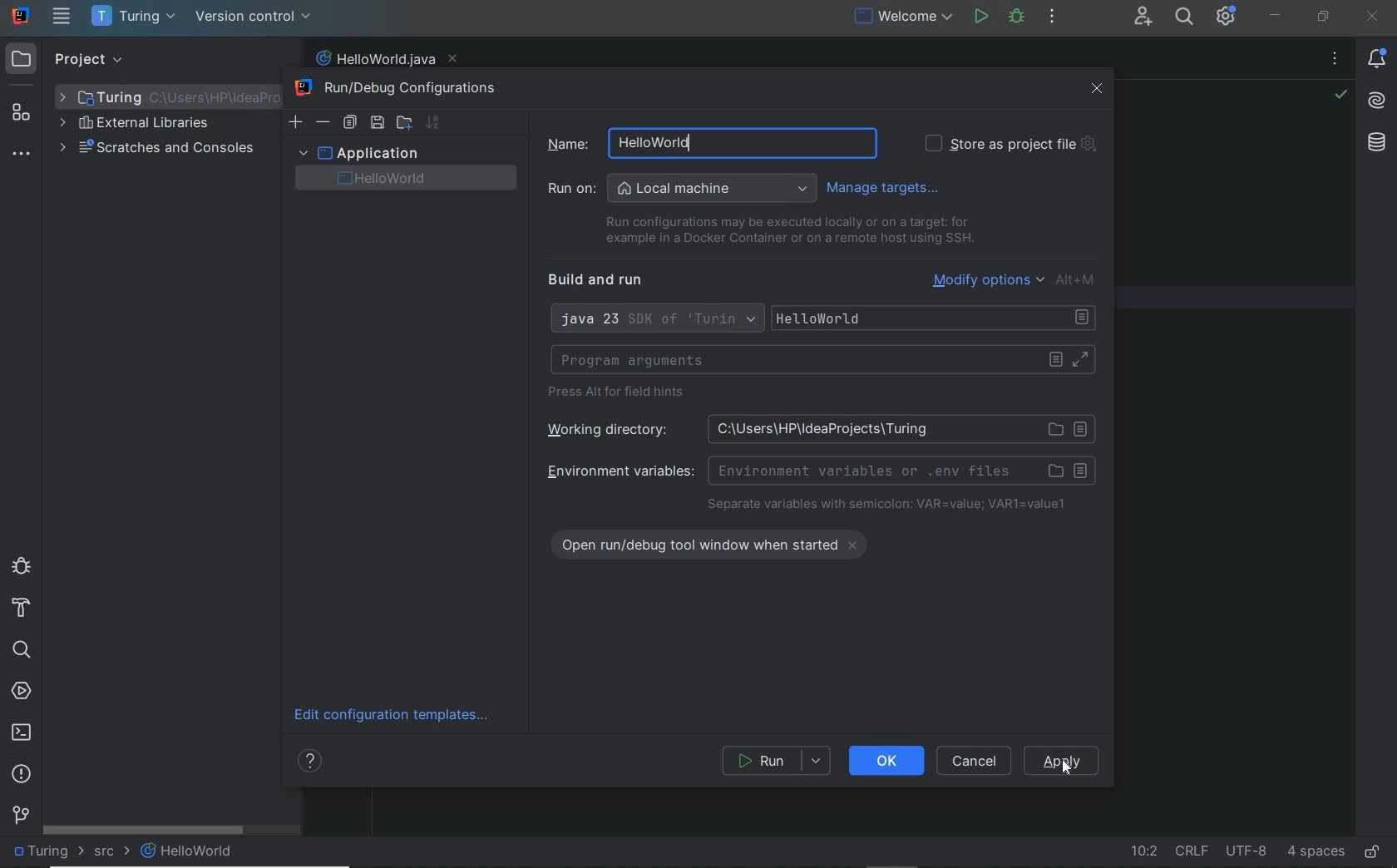  I want to click on run, so click(777, 761).